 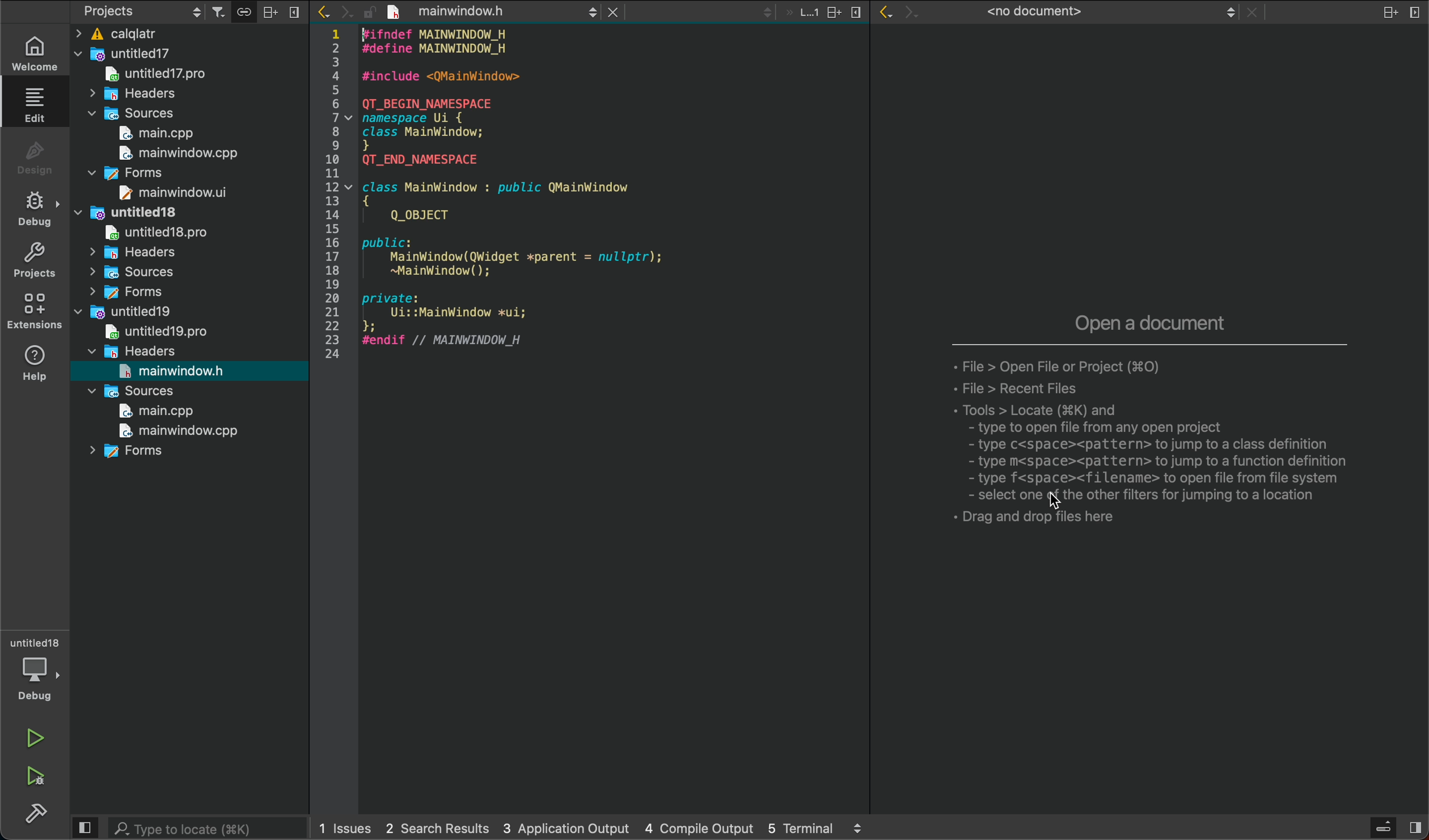 I want to click on , so click(x=470, y=14).